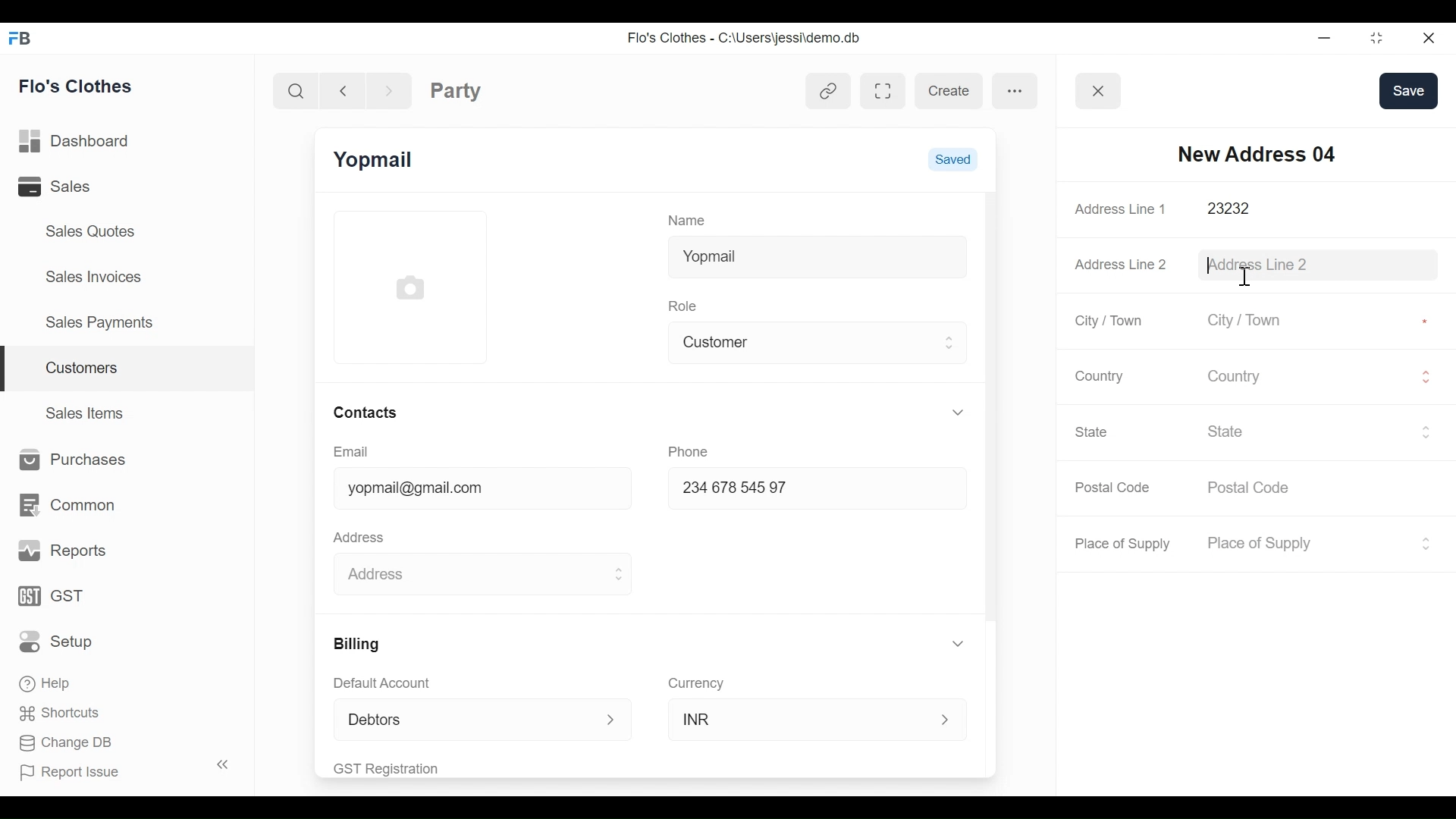 The image size is (1456, 819). I want to click on Sales Quotes, so click(92, 231).